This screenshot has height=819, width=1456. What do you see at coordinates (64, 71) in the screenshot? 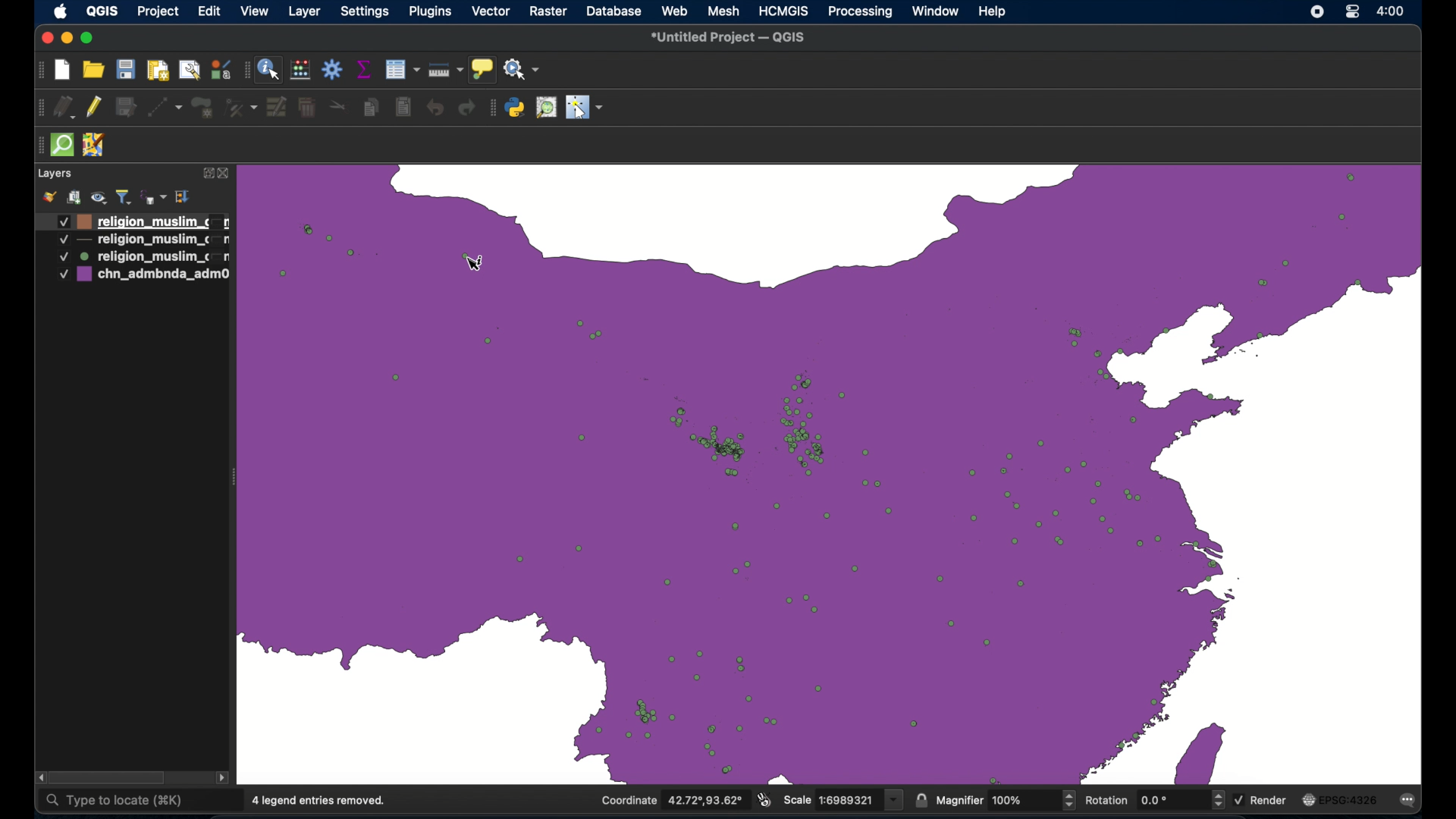
I see `create new project` at bounding box center [64, 71].